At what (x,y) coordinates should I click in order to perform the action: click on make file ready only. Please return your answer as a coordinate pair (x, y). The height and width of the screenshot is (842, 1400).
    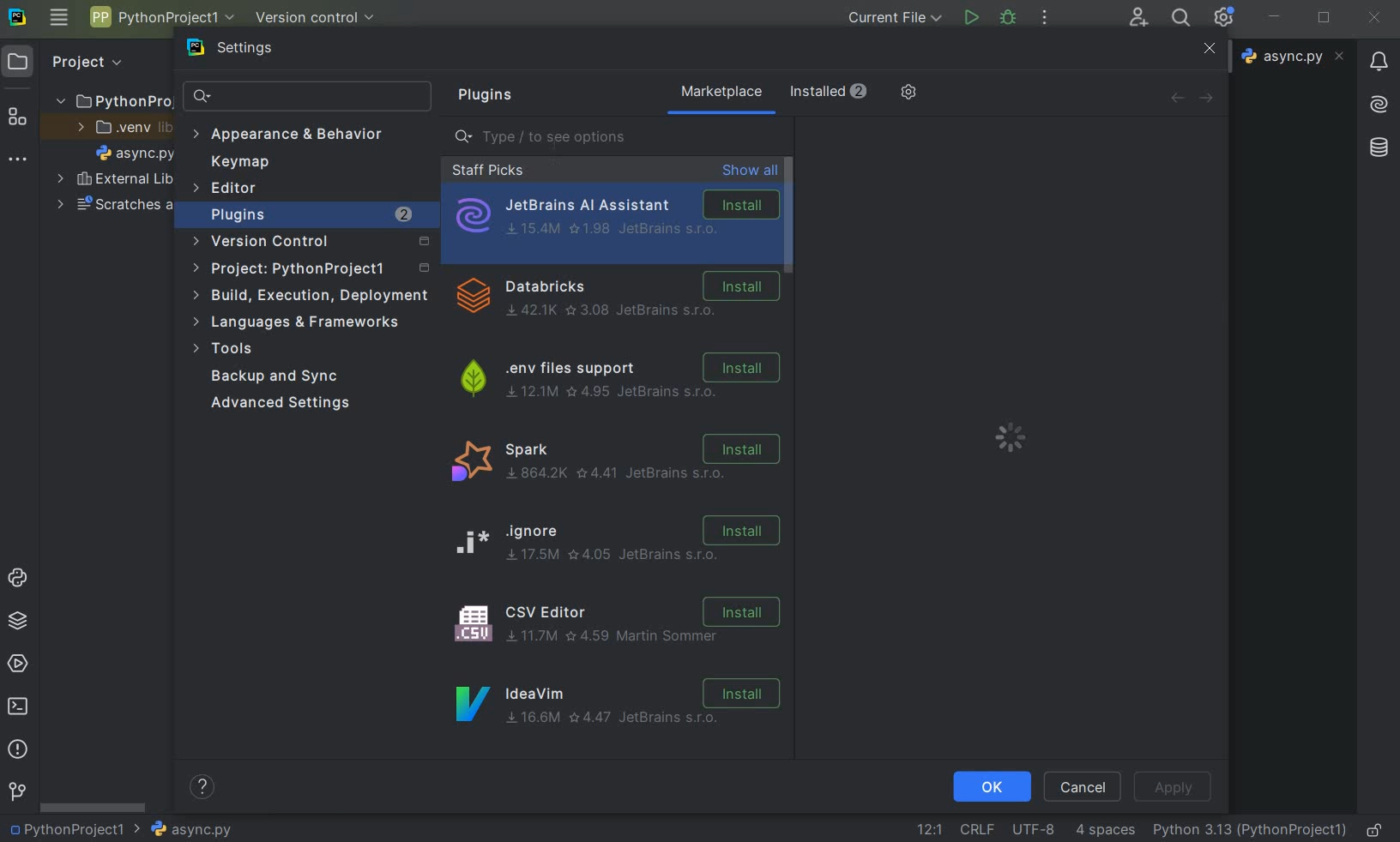
    Looking at the image, I should click on (1378, 830).